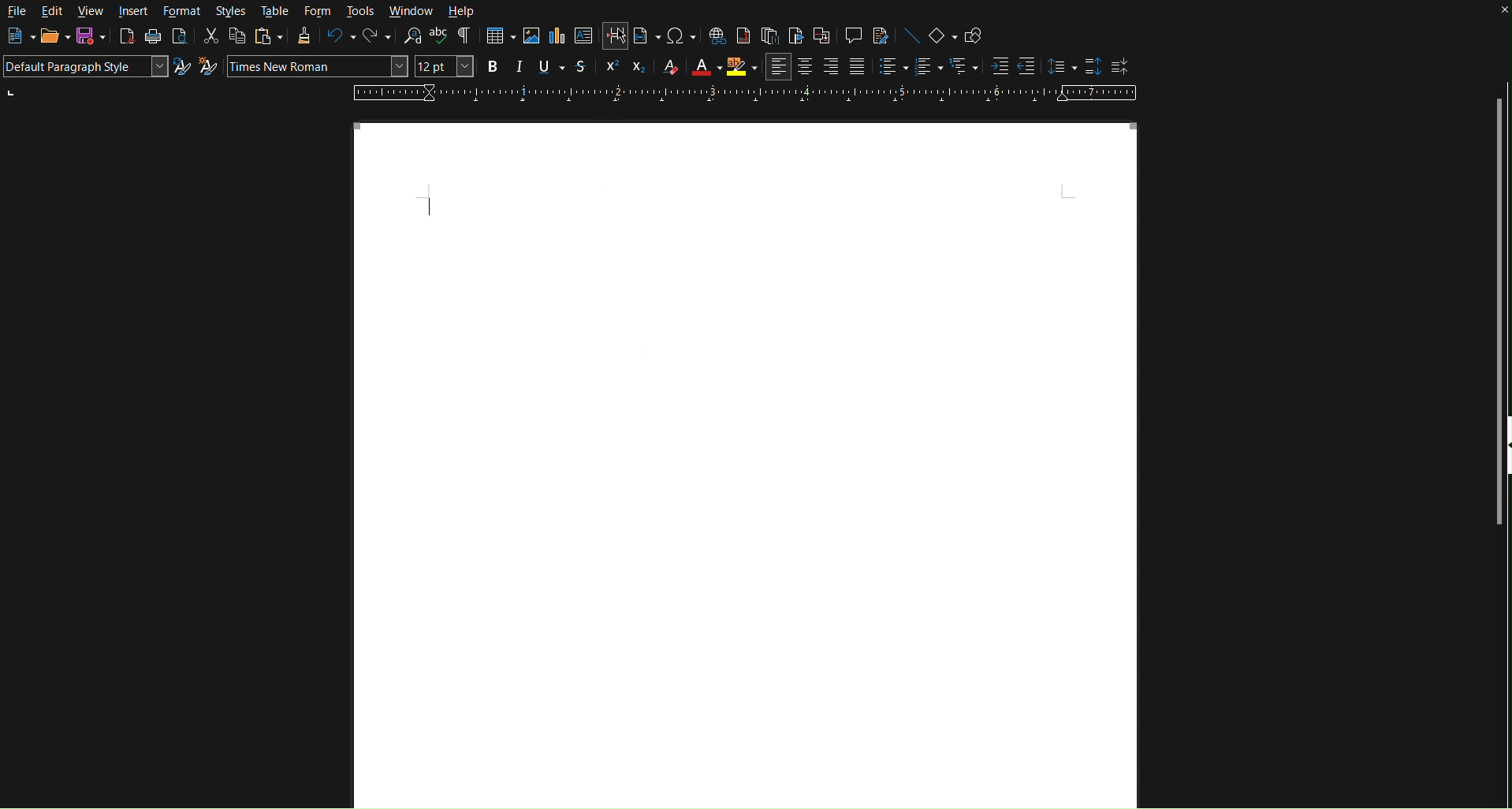 This screenshot has width=1512, height=809. I want to click on Paste, so click(267, 37).